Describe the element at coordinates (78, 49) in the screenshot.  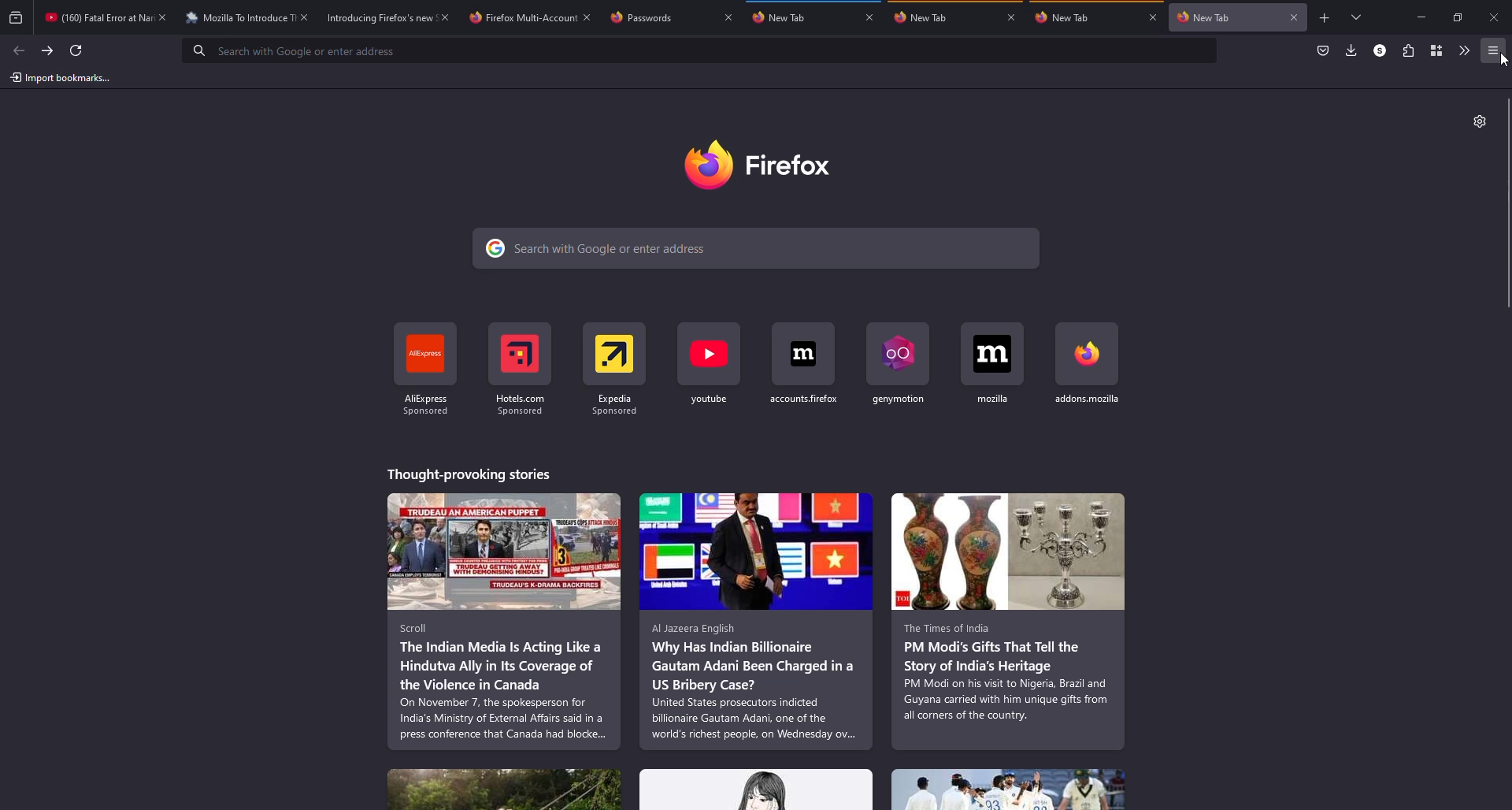
I see `refresh` at that location.